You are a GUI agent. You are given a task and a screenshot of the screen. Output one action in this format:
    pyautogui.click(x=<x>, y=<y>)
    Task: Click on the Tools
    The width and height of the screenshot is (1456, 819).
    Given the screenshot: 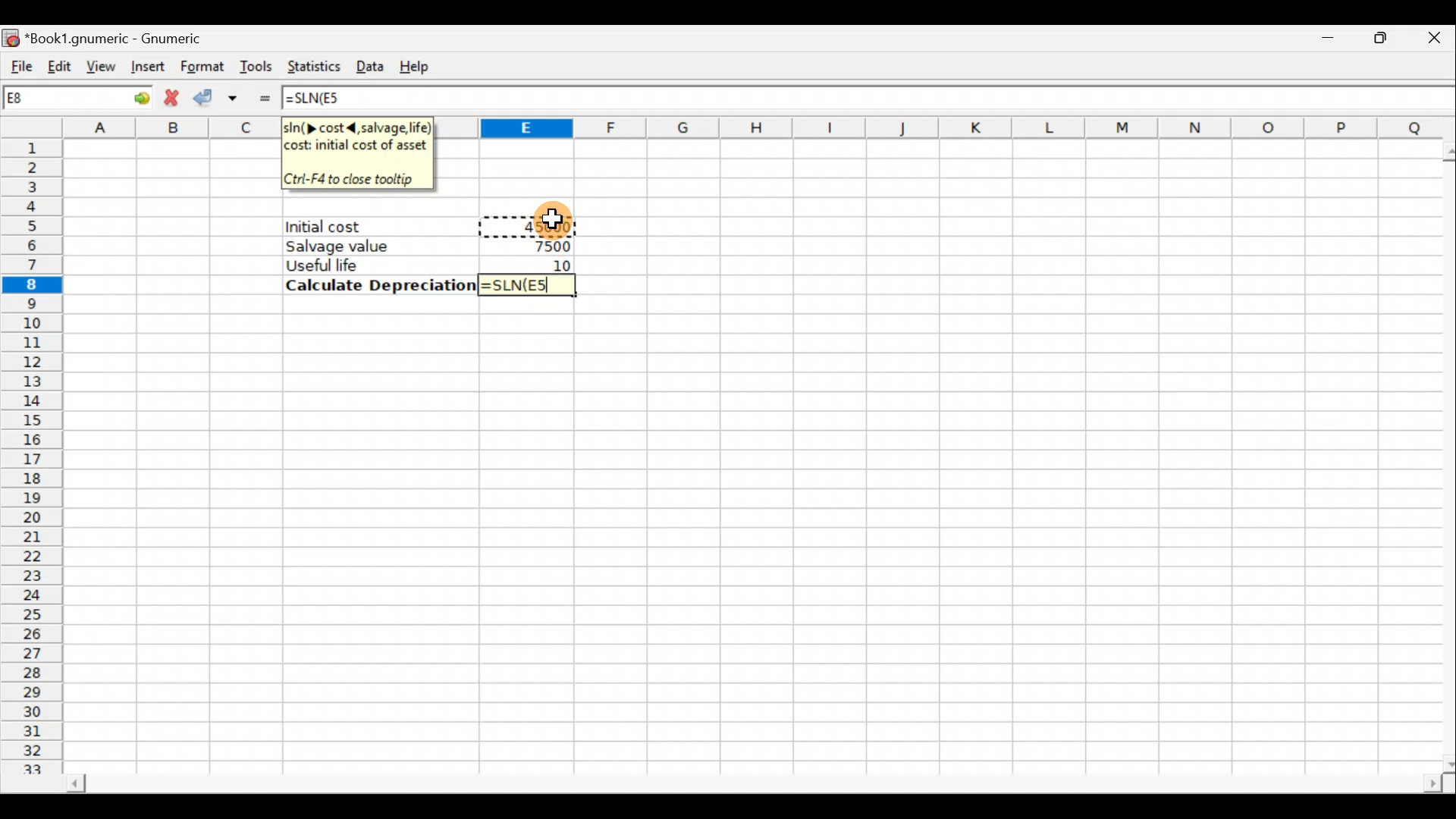 What is the action you would take?
    pyautogui.click(x=258, y=65)
    